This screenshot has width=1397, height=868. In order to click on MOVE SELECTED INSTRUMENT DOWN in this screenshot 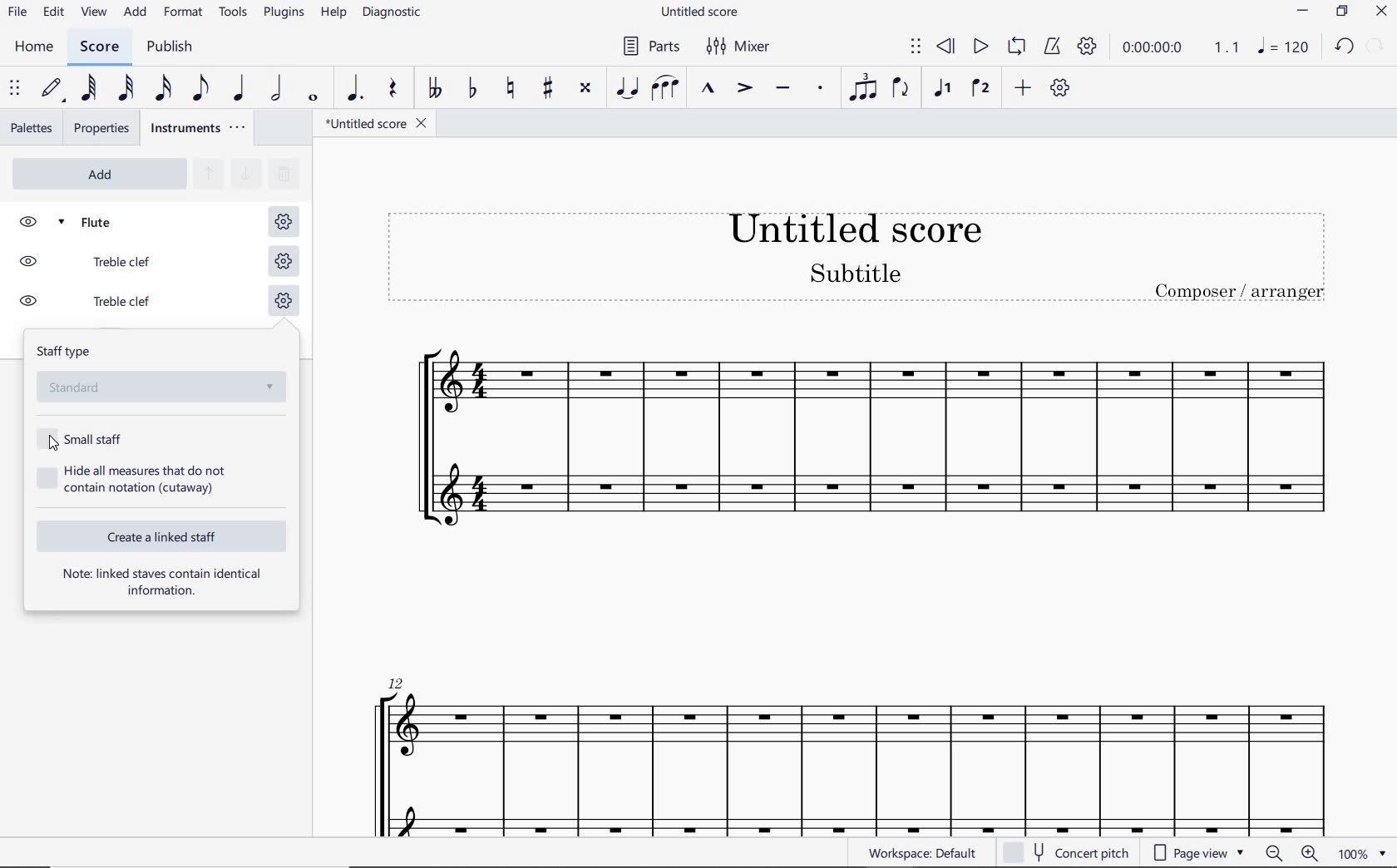, I will do `click(244, 172)`.